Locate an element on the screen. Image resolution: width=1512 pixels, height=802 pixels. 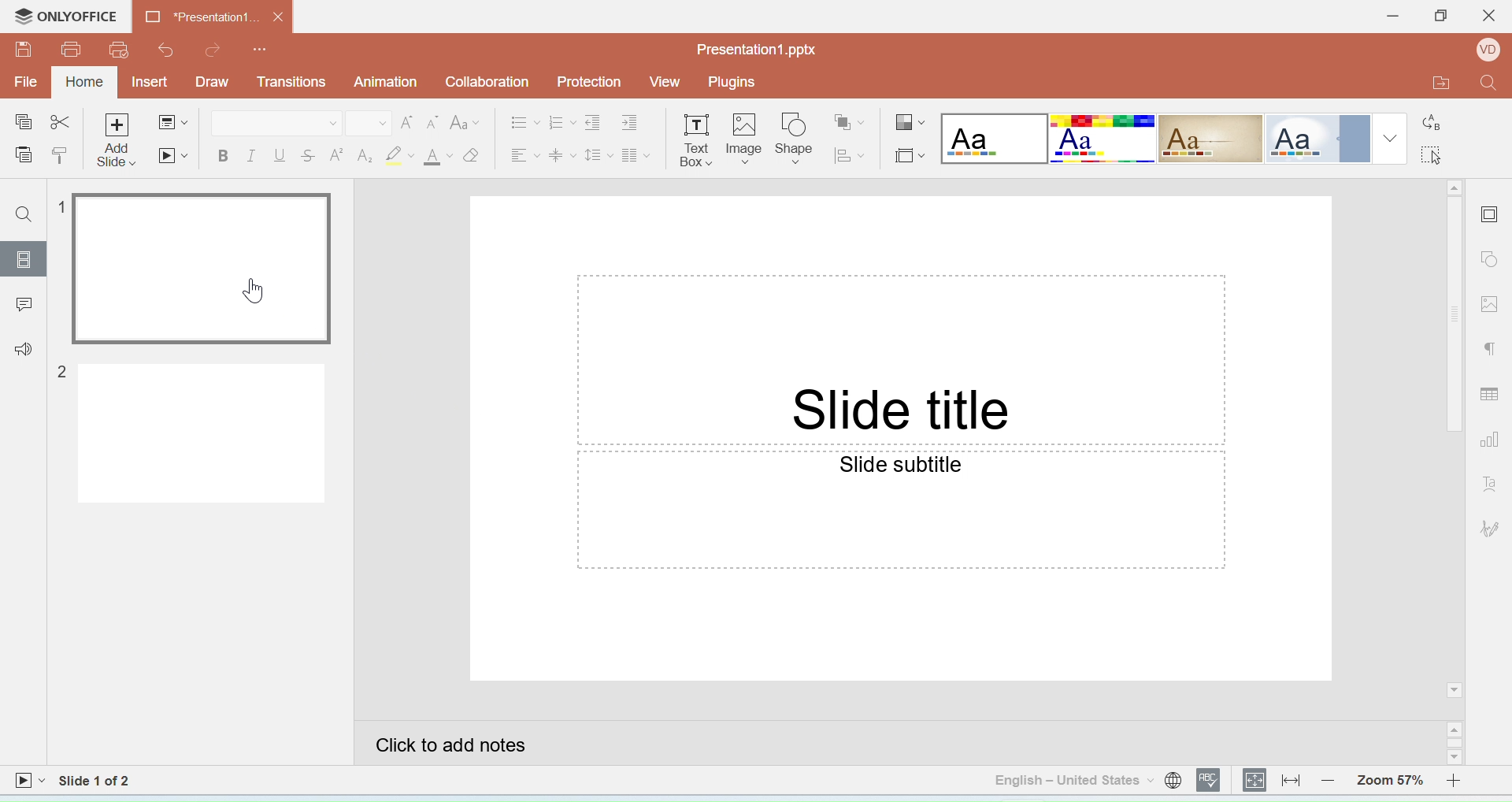
Set text language is located at coordinates (1073, 780).